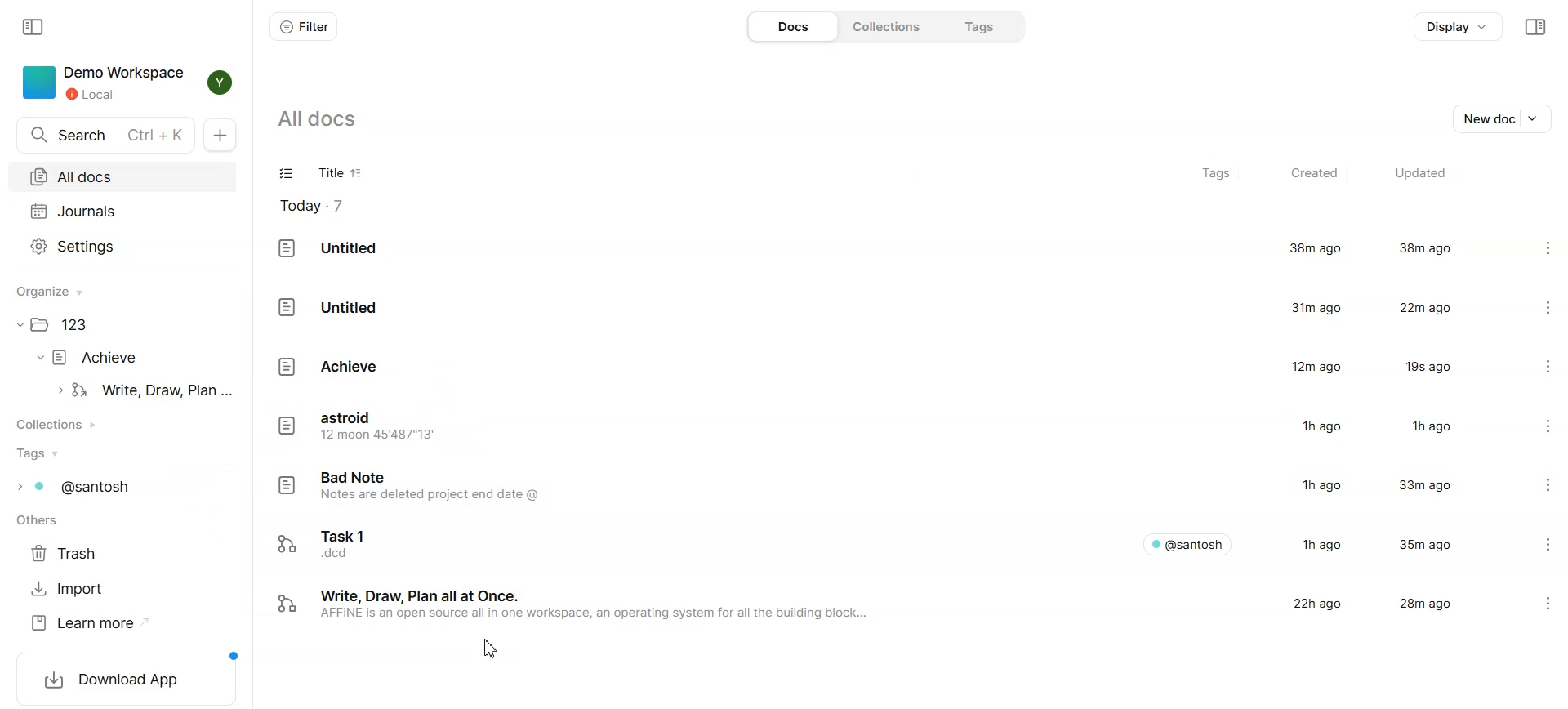  Describe the element at coordinates (1534, 366) in the screenshot. I see `Settings` at that location.